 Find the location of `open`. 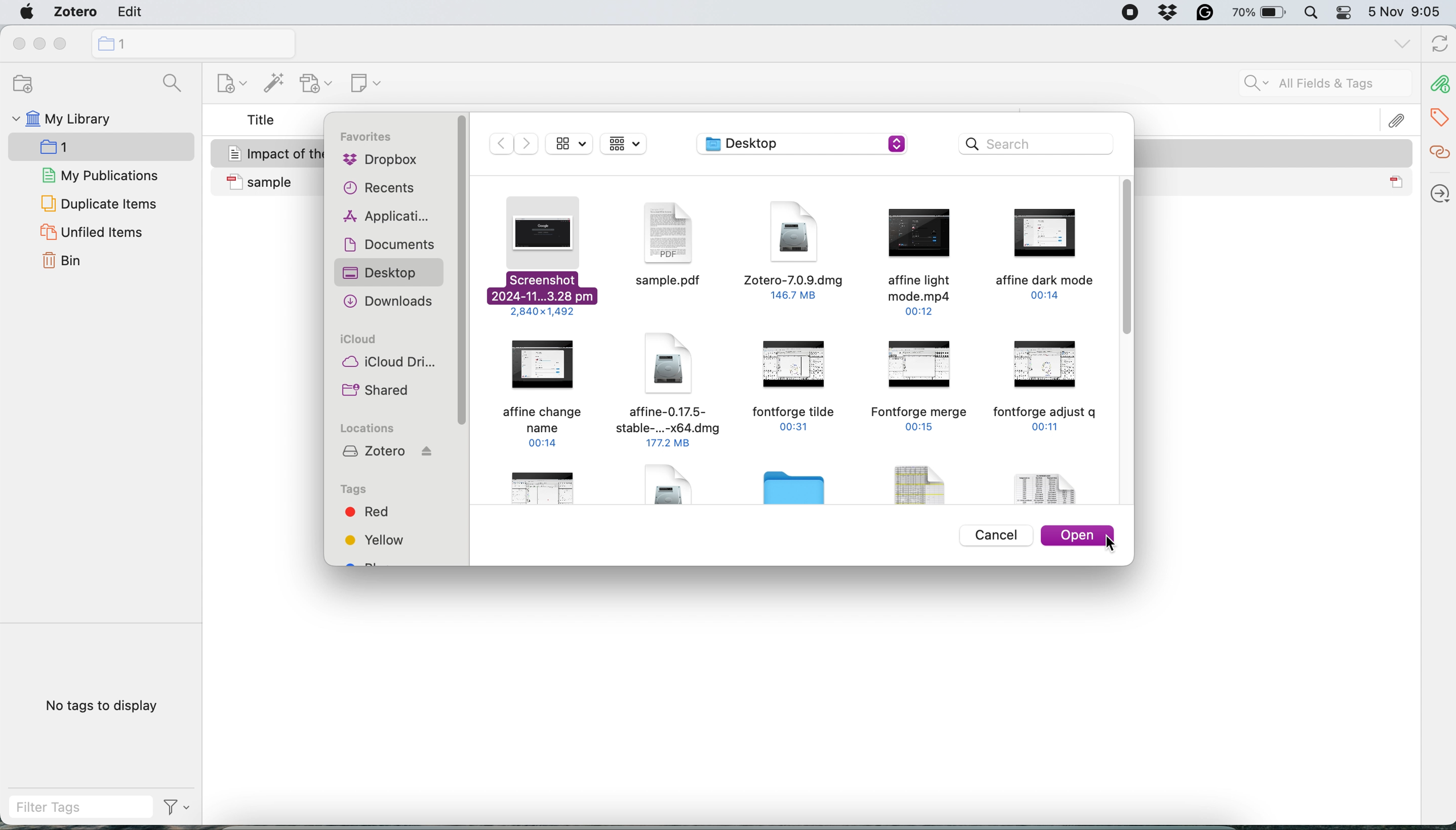

open is located at coordinates (1081, 537).